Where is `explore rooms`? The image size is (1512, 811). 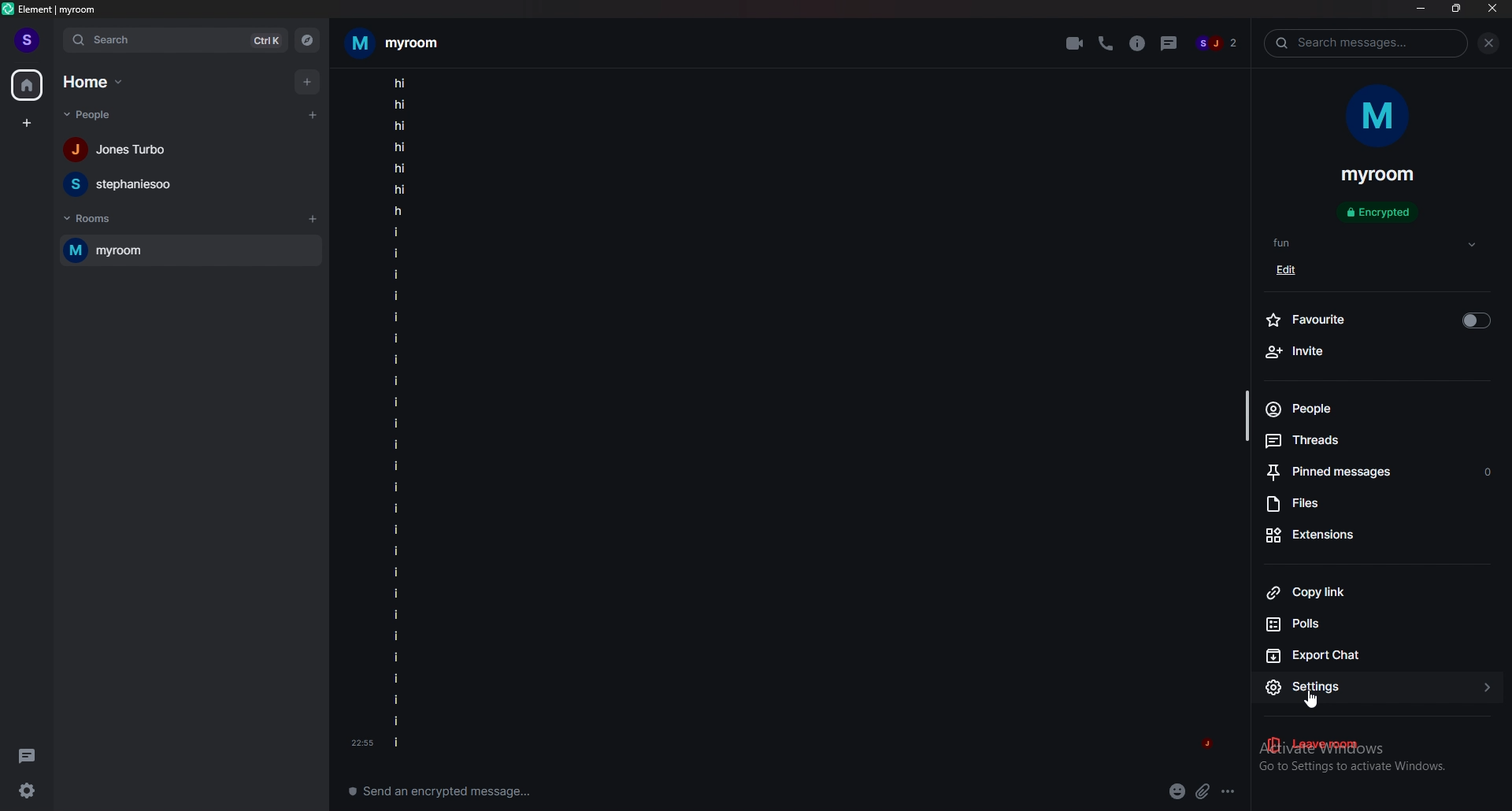 explore rooms is located at coordinates (307, 39).